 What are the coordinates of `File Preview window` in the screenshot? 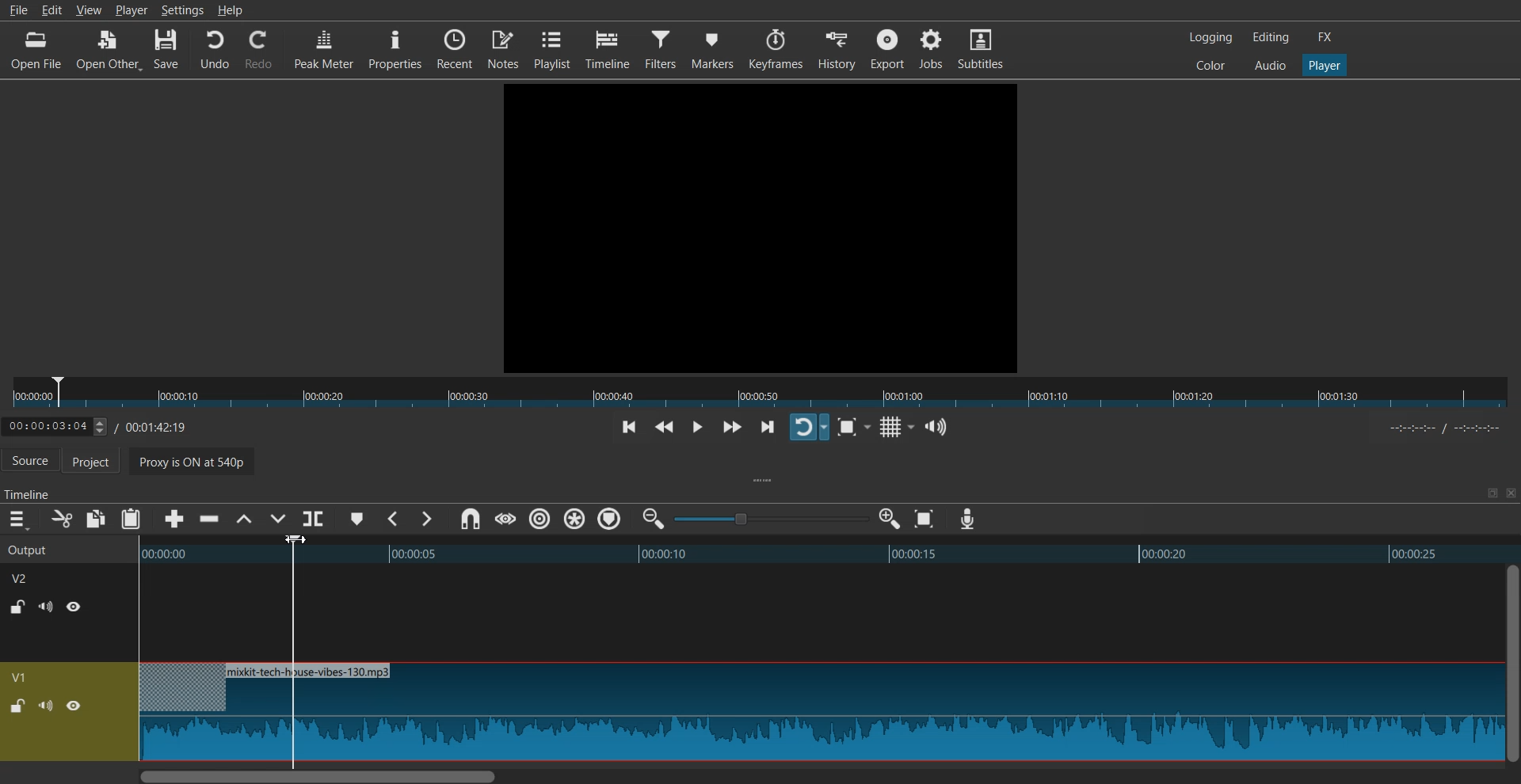 It's located at (764, 226).